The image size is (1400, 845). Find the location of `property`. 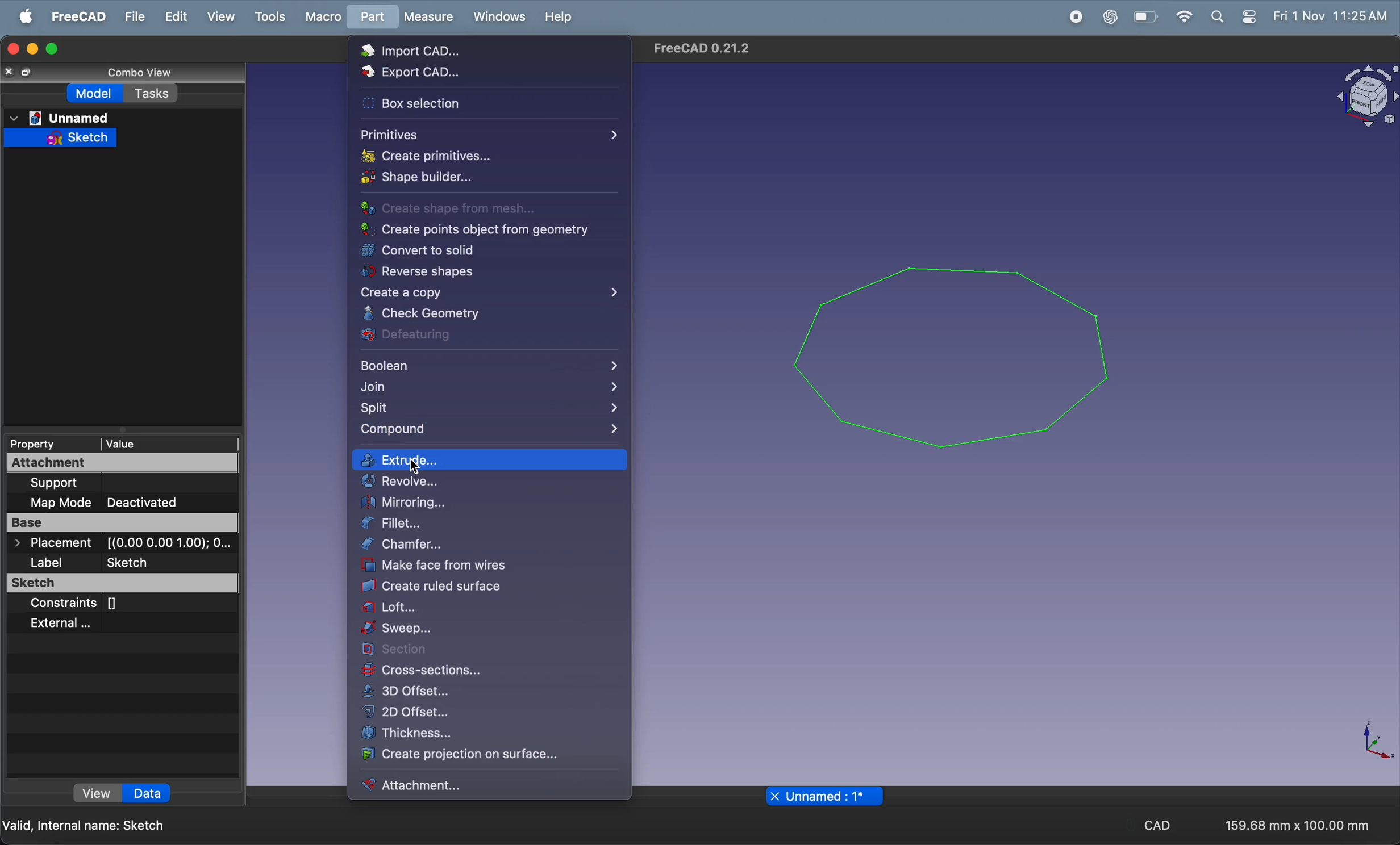

property is located at coordinates (47, 445).